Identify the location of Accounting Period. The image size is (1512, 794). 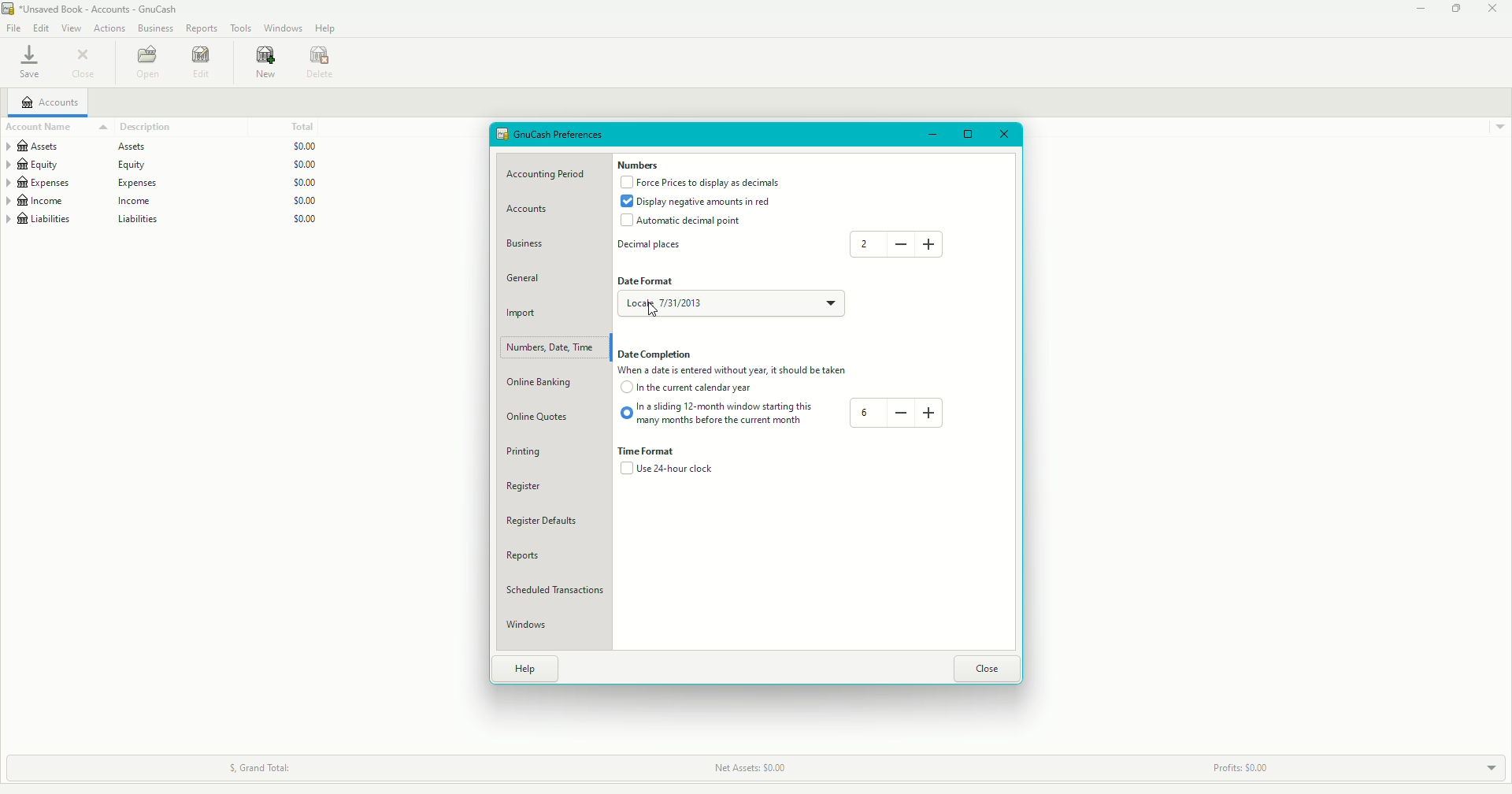
(553, 173).